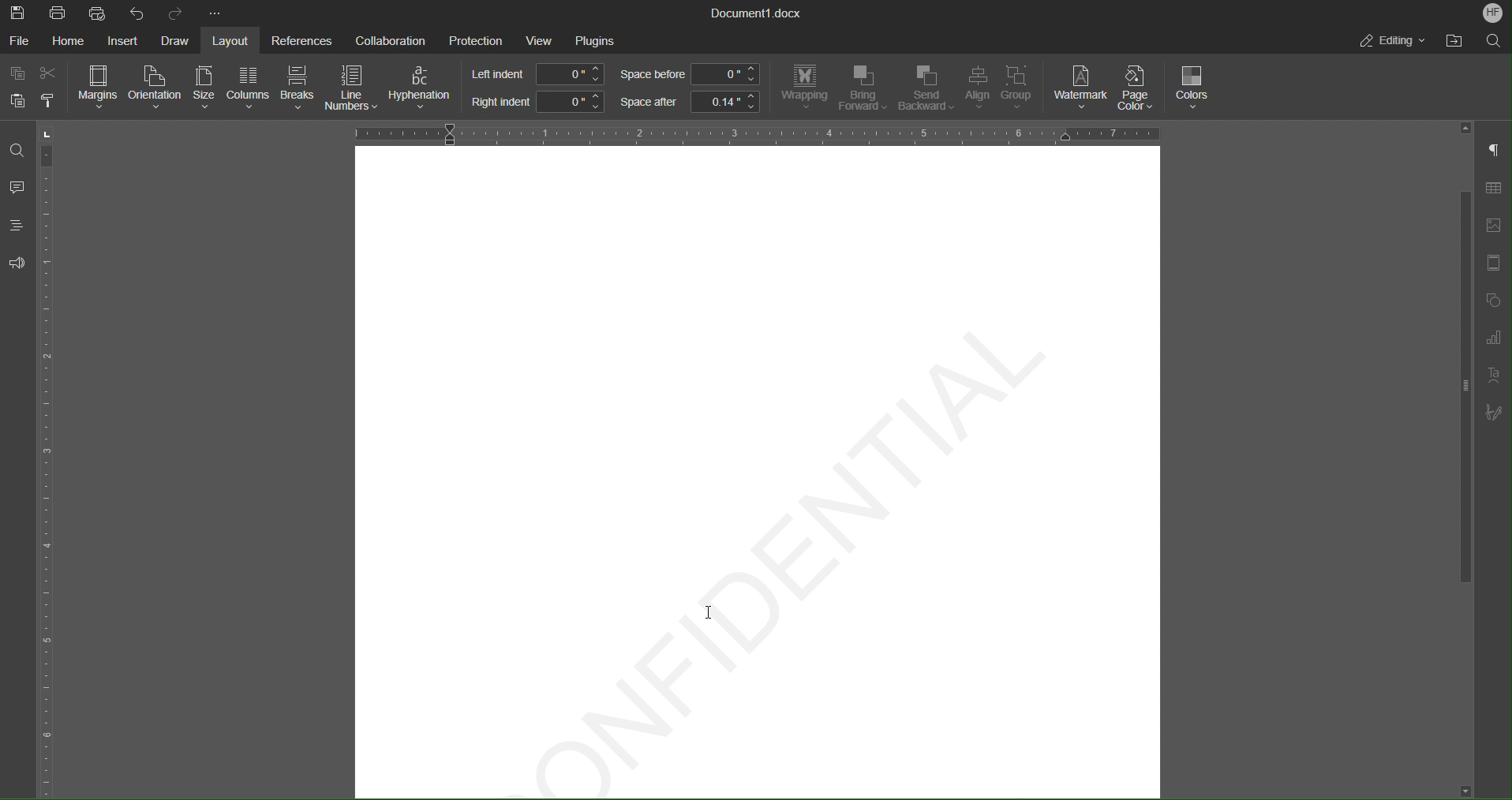  What do you see at coordinates (1493, 39) in the screenshot?
I see `Search` at bounding box center [1493, 39].